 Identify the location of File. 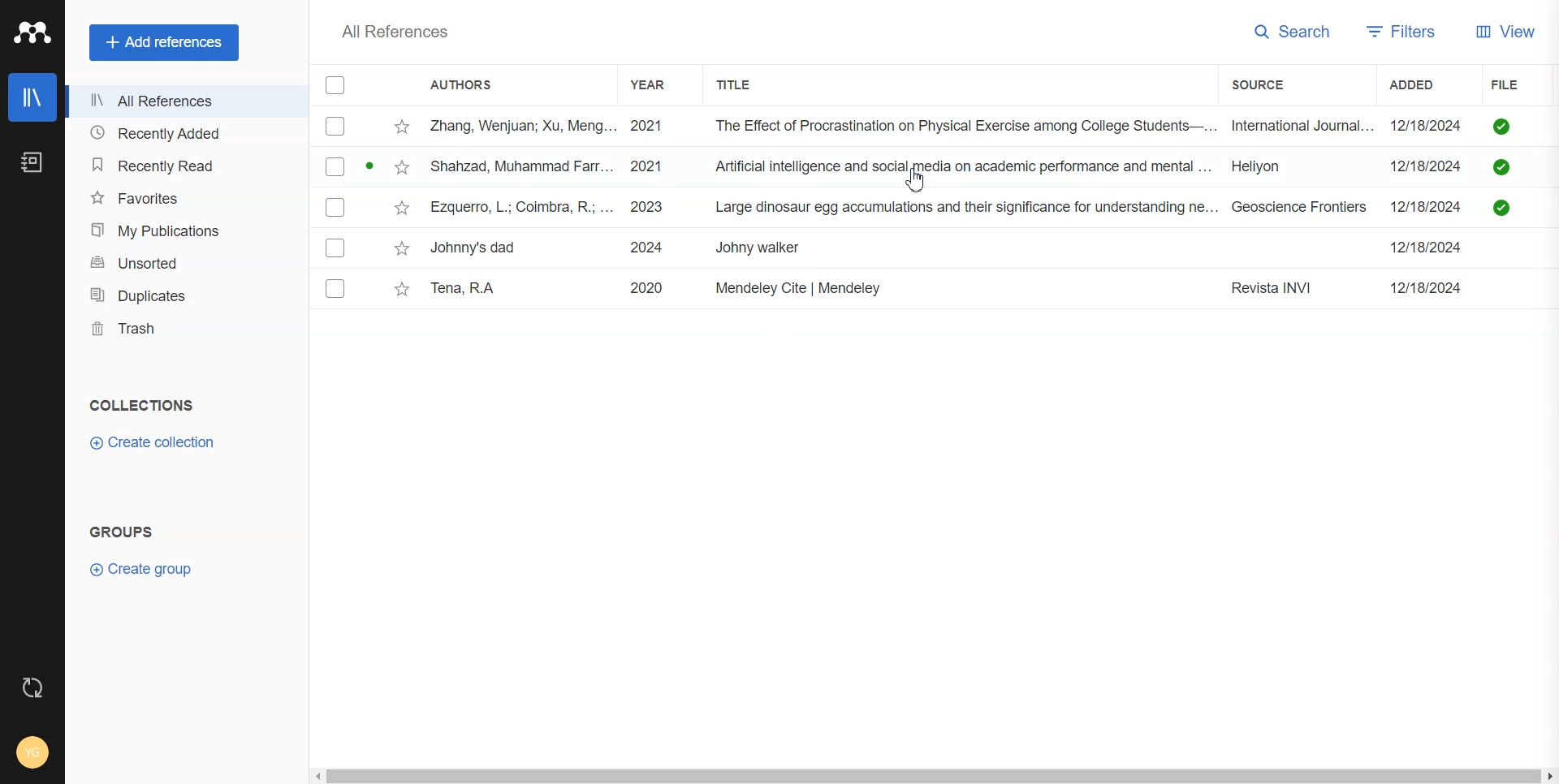
(936, 208).